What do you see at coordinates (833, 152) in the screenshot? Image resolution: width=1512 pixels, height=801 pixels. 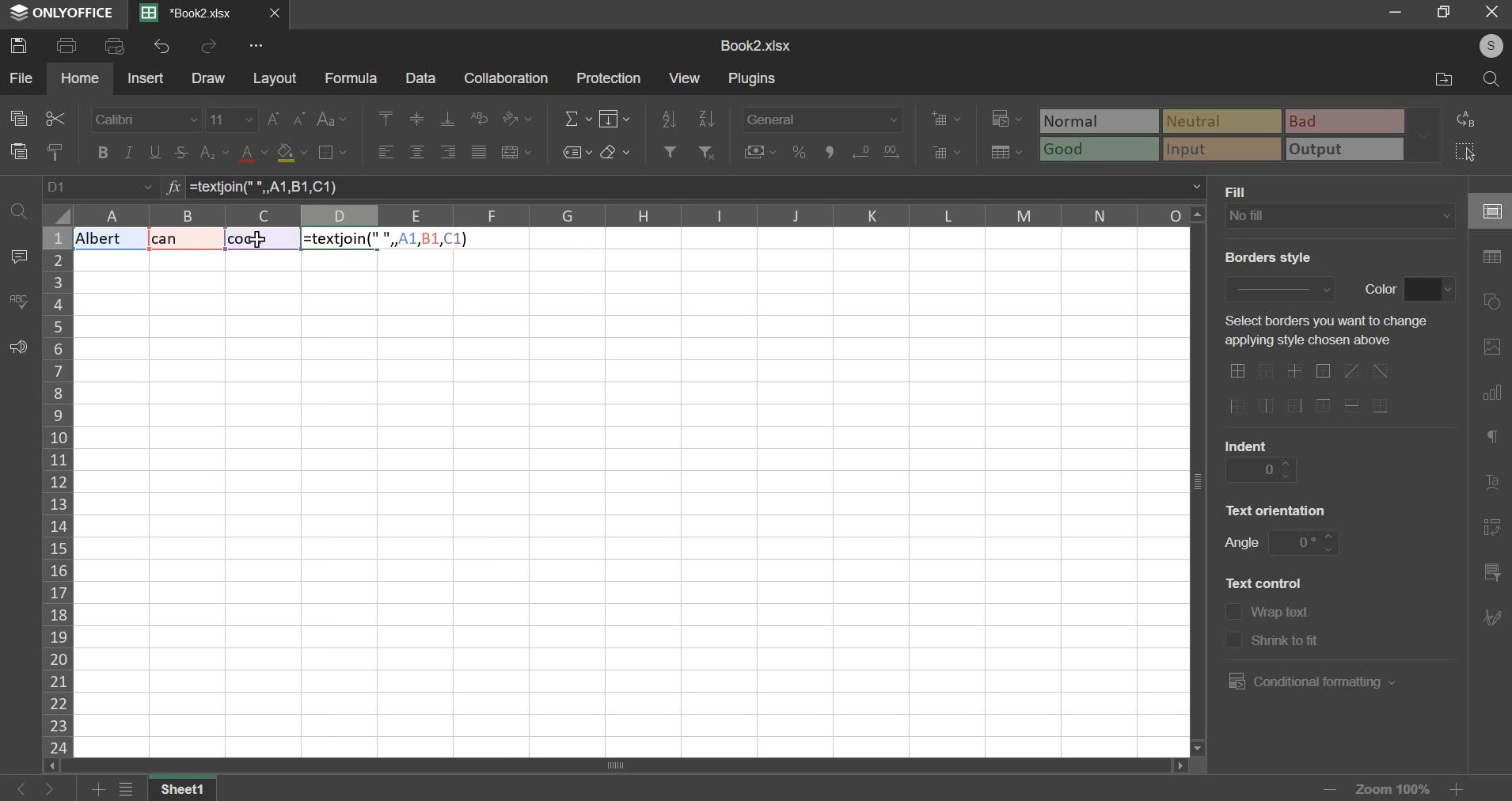 I see `comma style` at bounding box center [833, 152].